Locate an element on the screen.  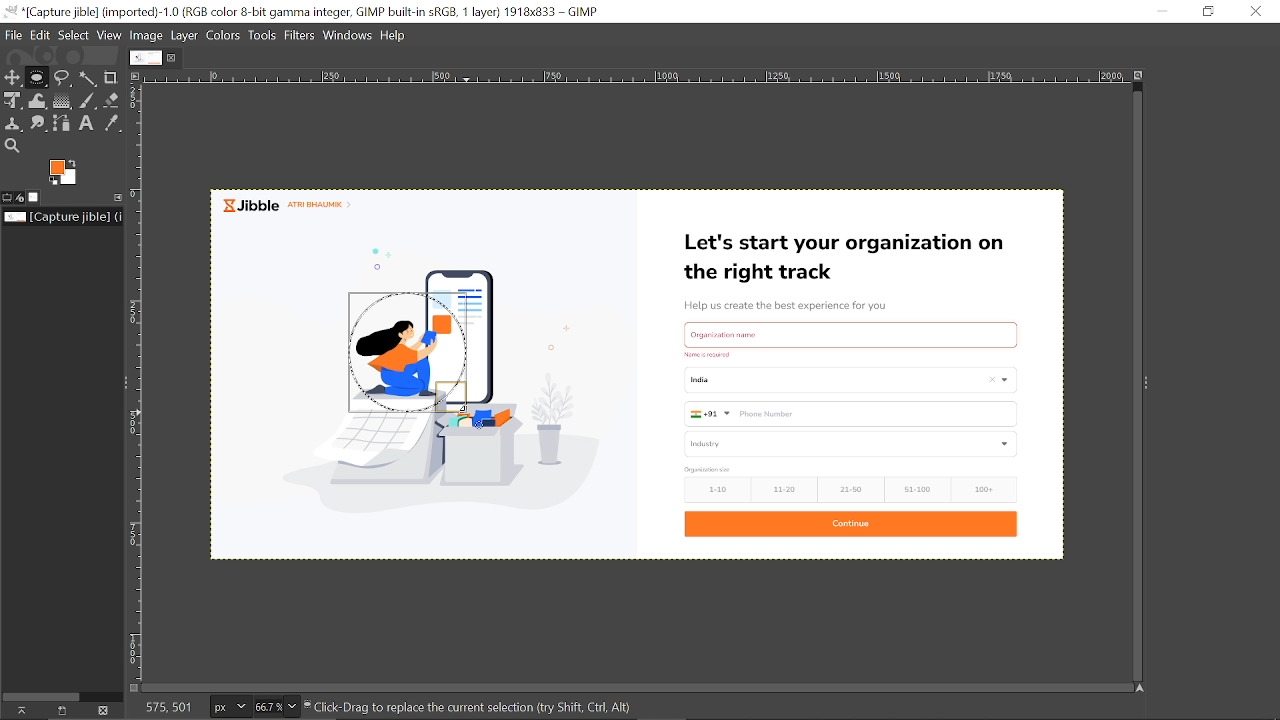
Current Image is located at coordinates (145, 58).